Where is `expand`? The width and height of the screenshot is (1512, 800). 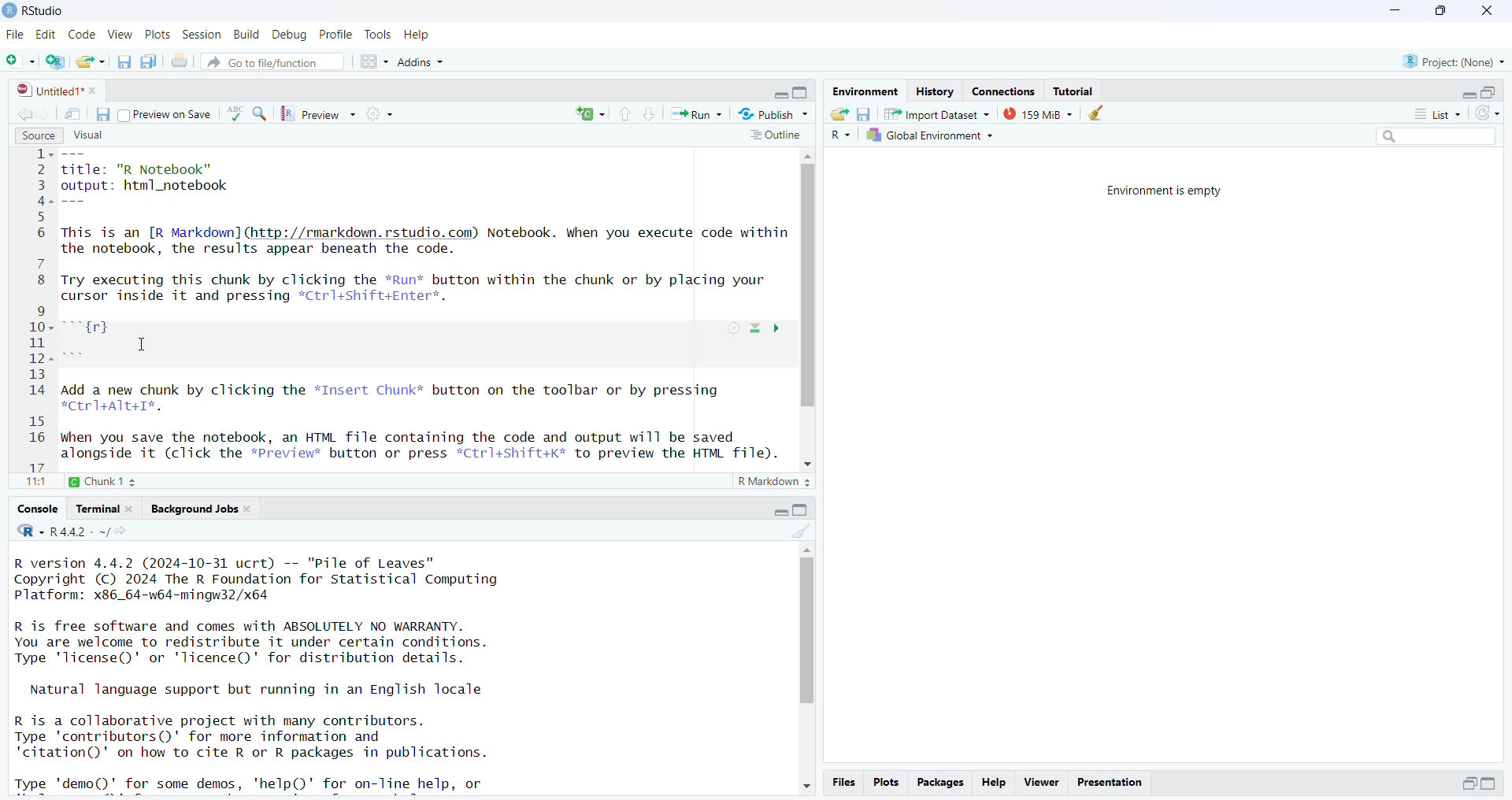
expand is located at coordinates (781, 509).